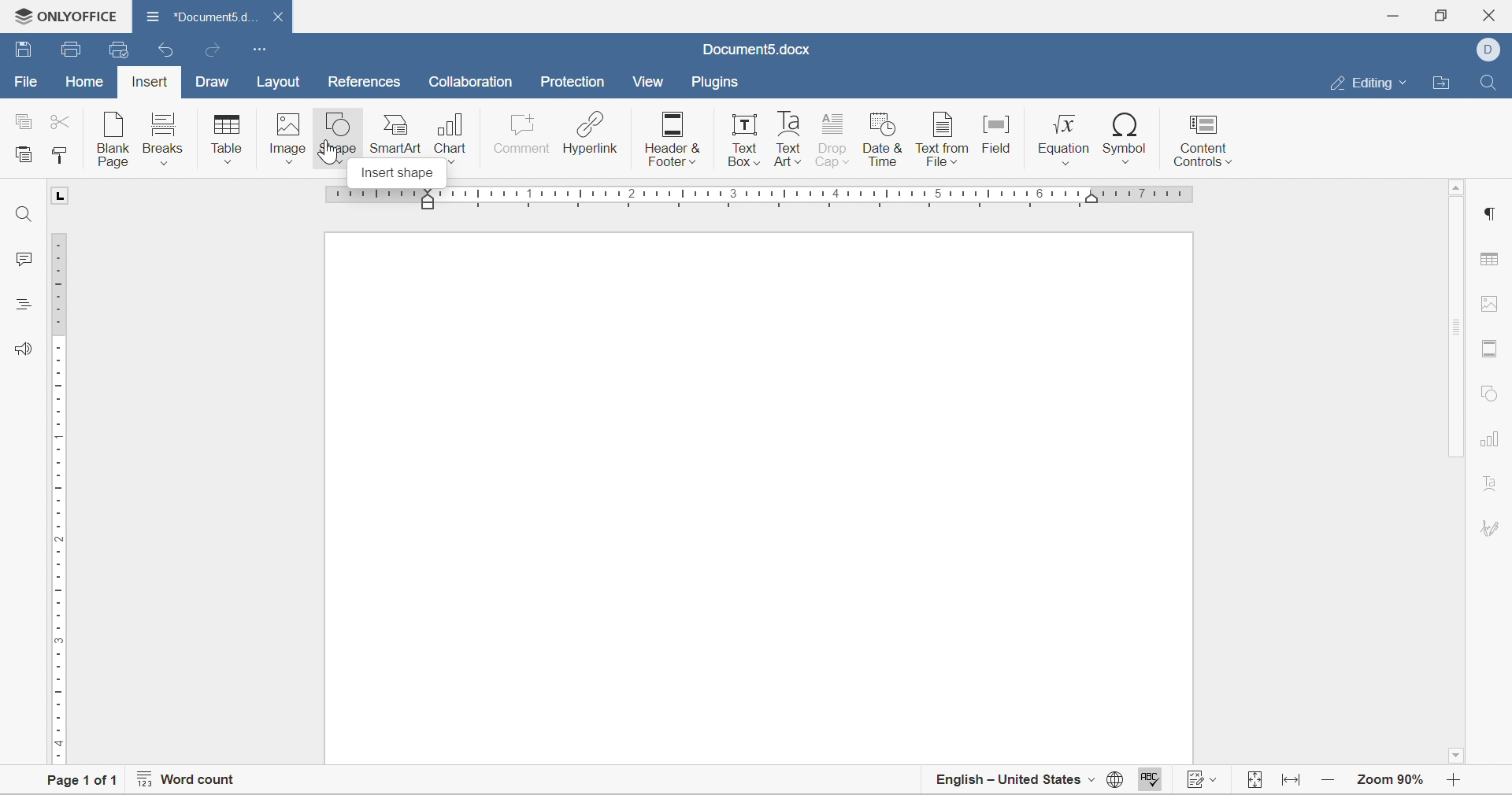 Image resolution: width=1512 pixels, height=795 pixels. What do you see at coordinates (1124, 140) in the screenshot?
I see `symbol` at bounding box center [1124, 140].